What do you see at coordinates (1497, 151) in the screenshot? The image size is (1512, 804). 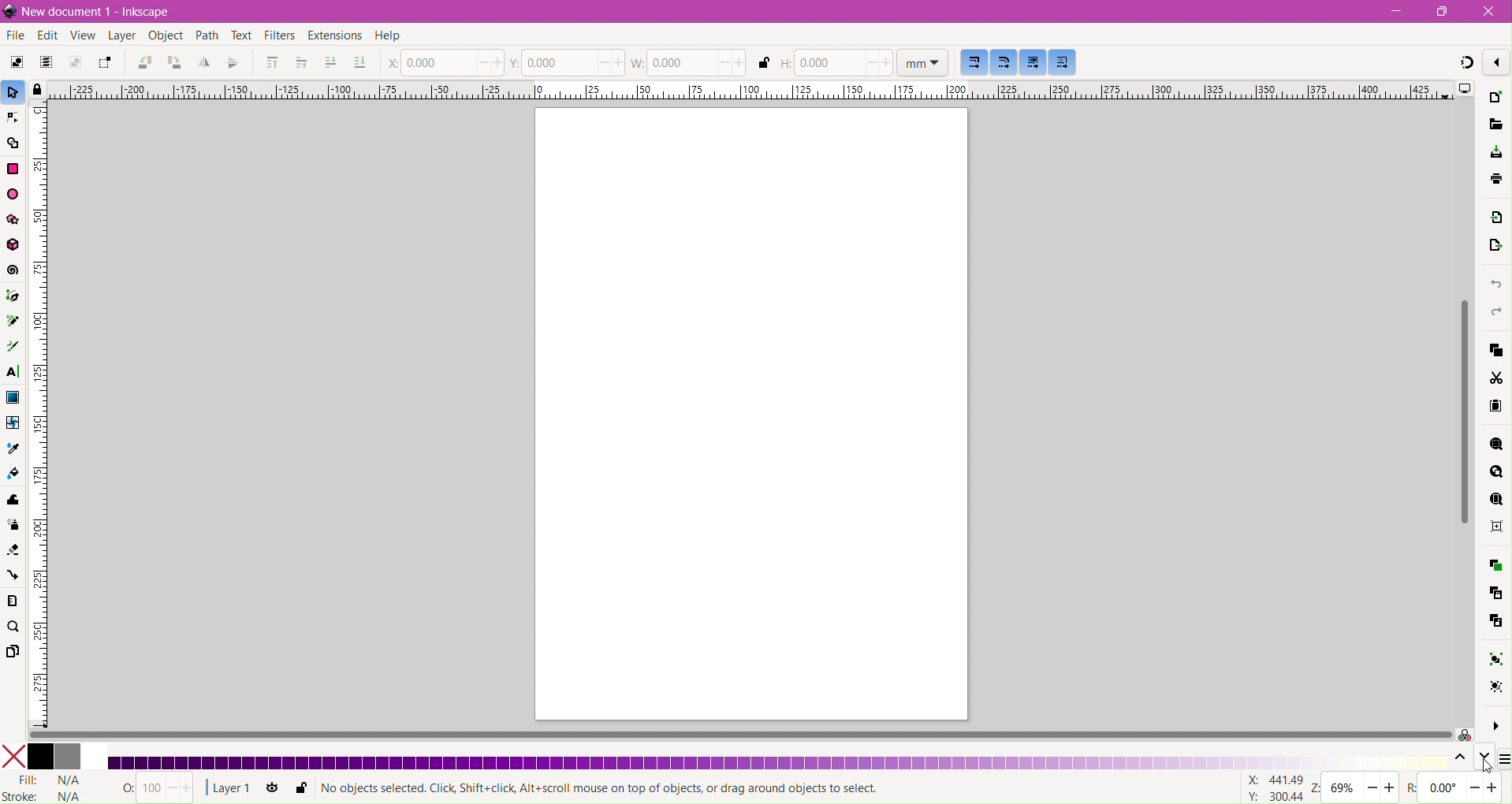 I see `Save` at bounding box center [1497, 151].